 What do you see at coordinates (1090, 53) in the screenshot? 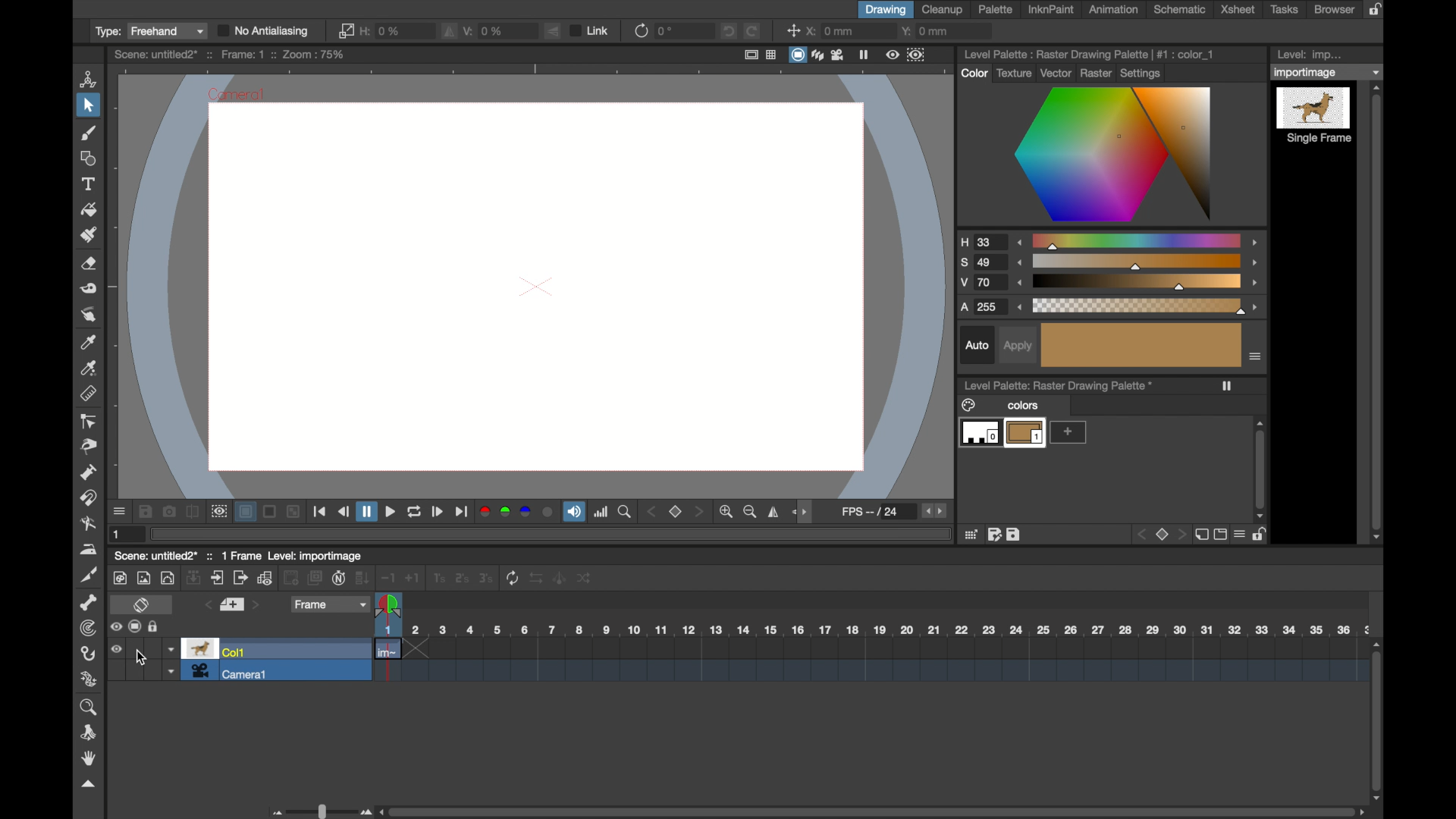
I see `Level Palette : Raster Drawing Palette | #1 : color_1` at bounding box center [1090, 53].